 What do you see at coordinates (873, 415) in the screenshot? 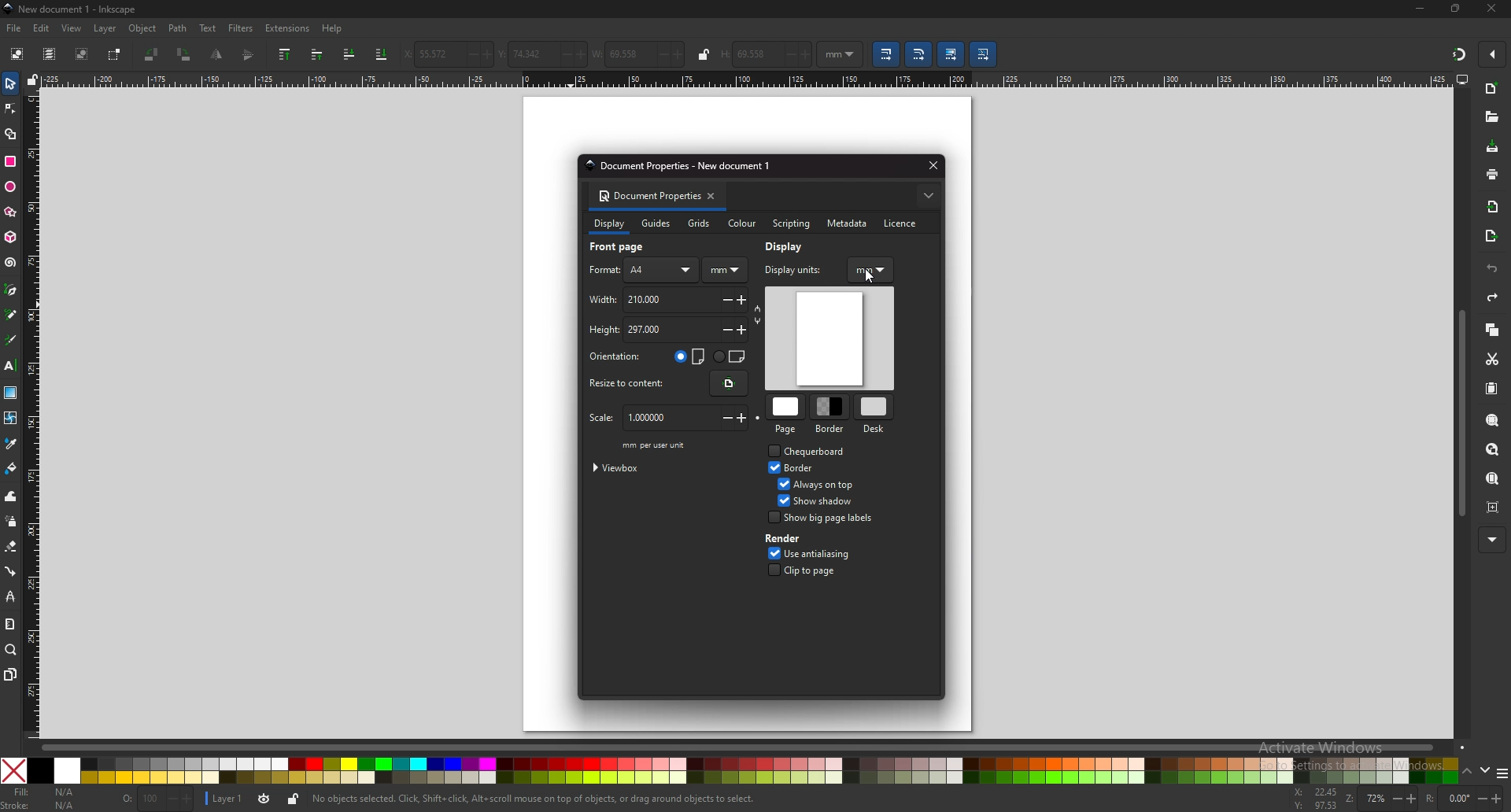
I see `desk` at bounding box center [873, 415].